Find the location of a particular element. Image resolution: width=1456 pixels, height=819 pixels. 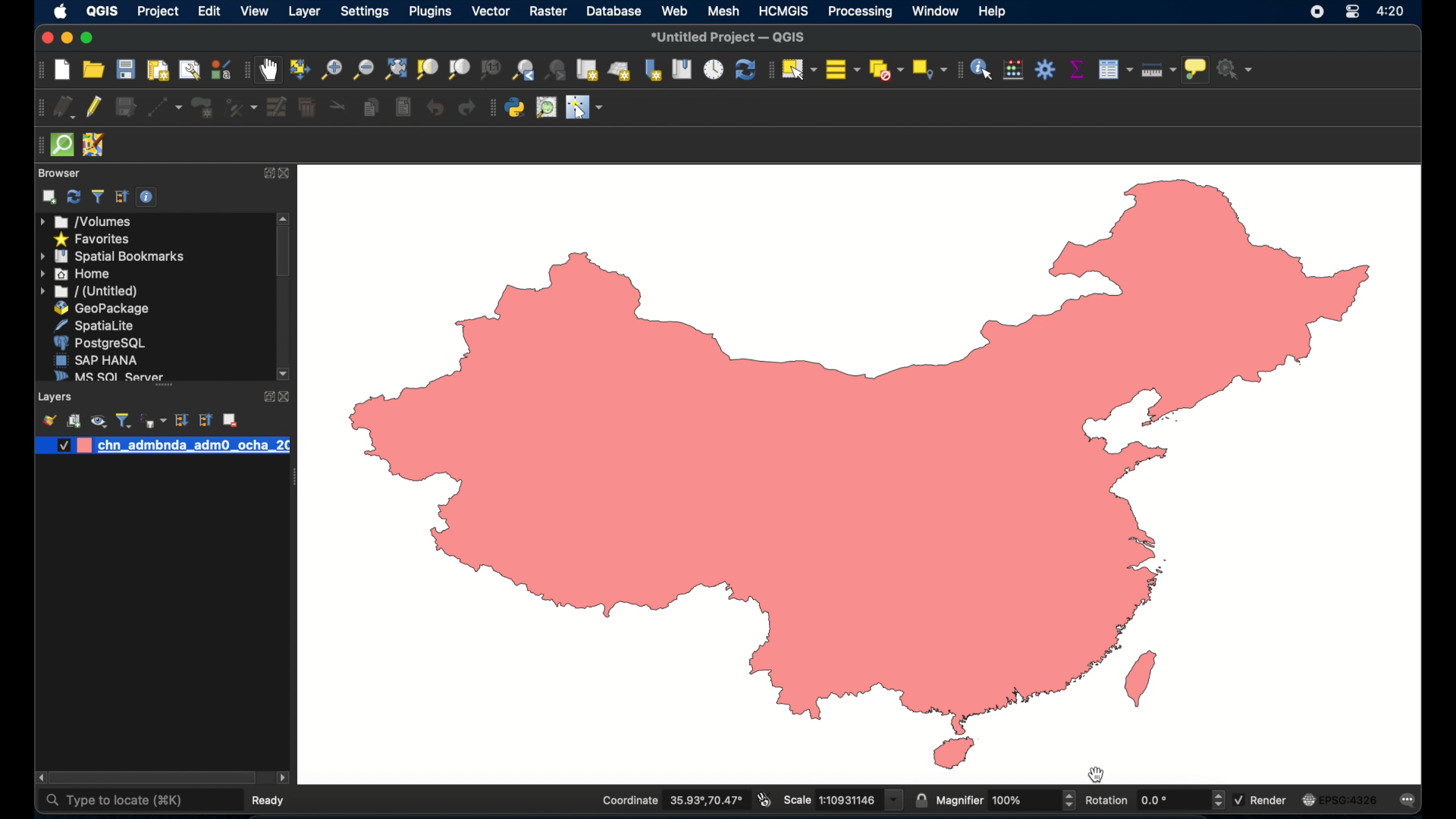

EPSG:4326 is located at coordinates (1340, 799).